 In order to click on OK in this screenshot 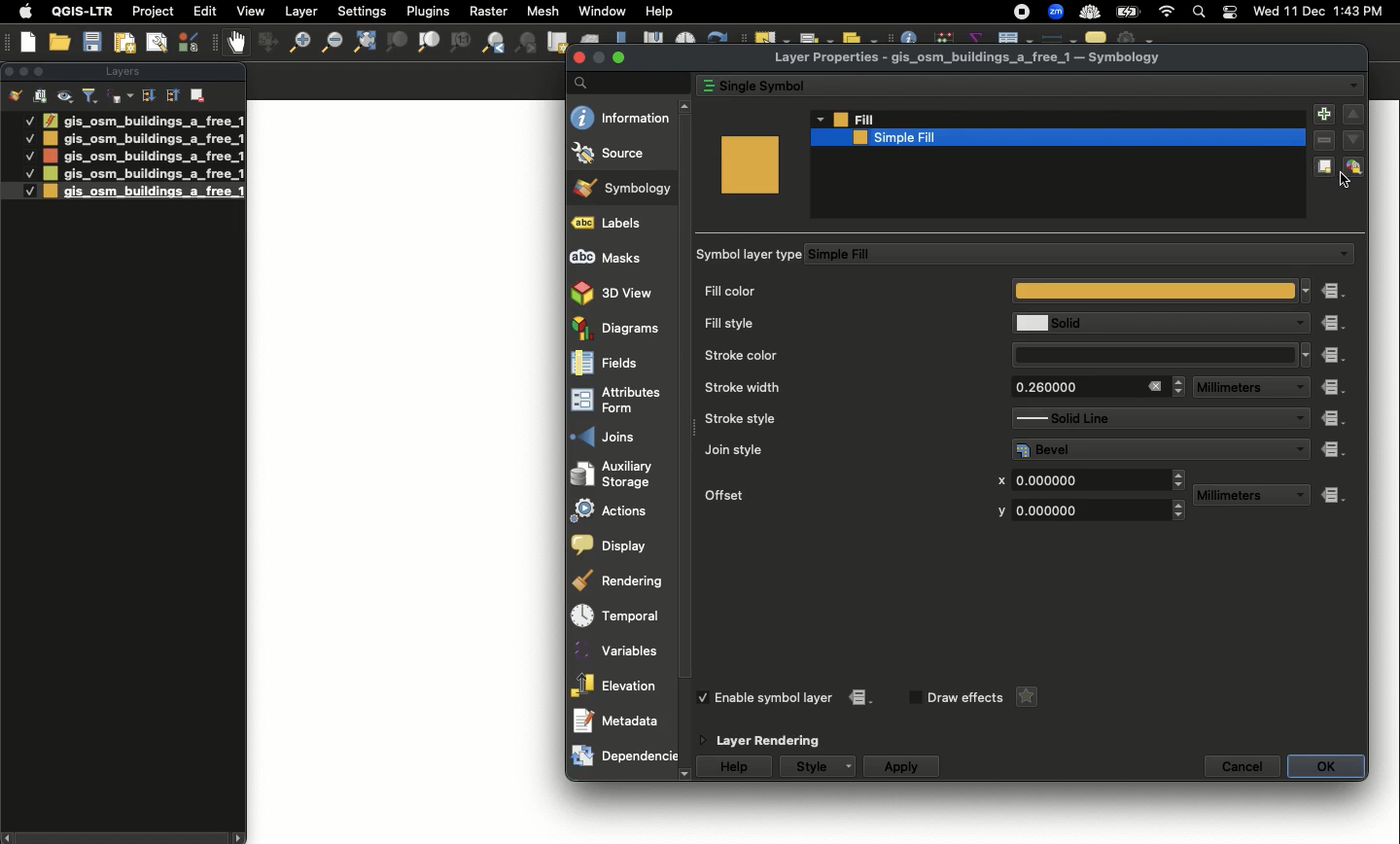, I will do `click(1326, 766)`.